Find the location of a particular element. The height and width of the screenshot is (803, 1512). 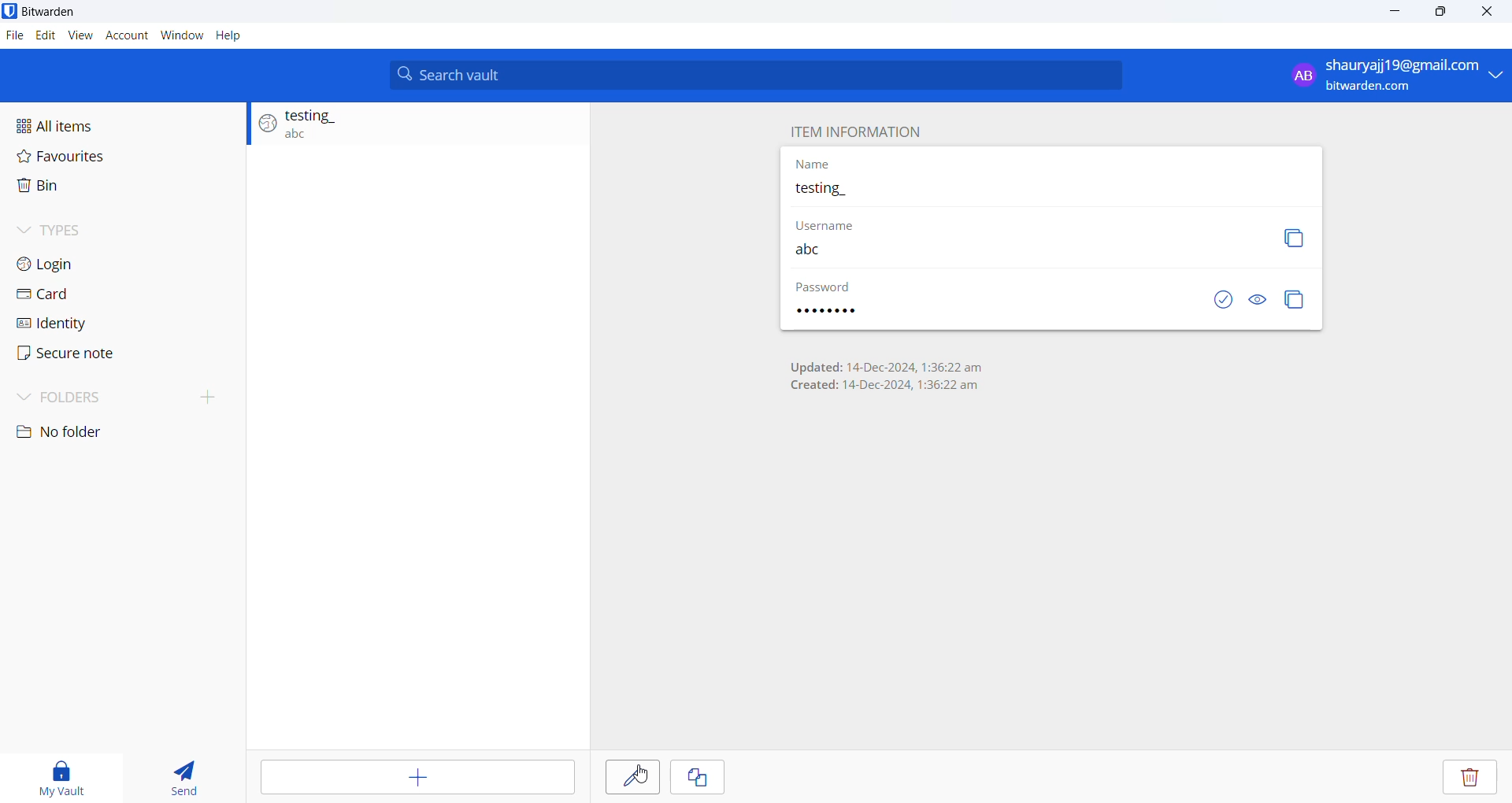

view is located at coordinates (80, 34).